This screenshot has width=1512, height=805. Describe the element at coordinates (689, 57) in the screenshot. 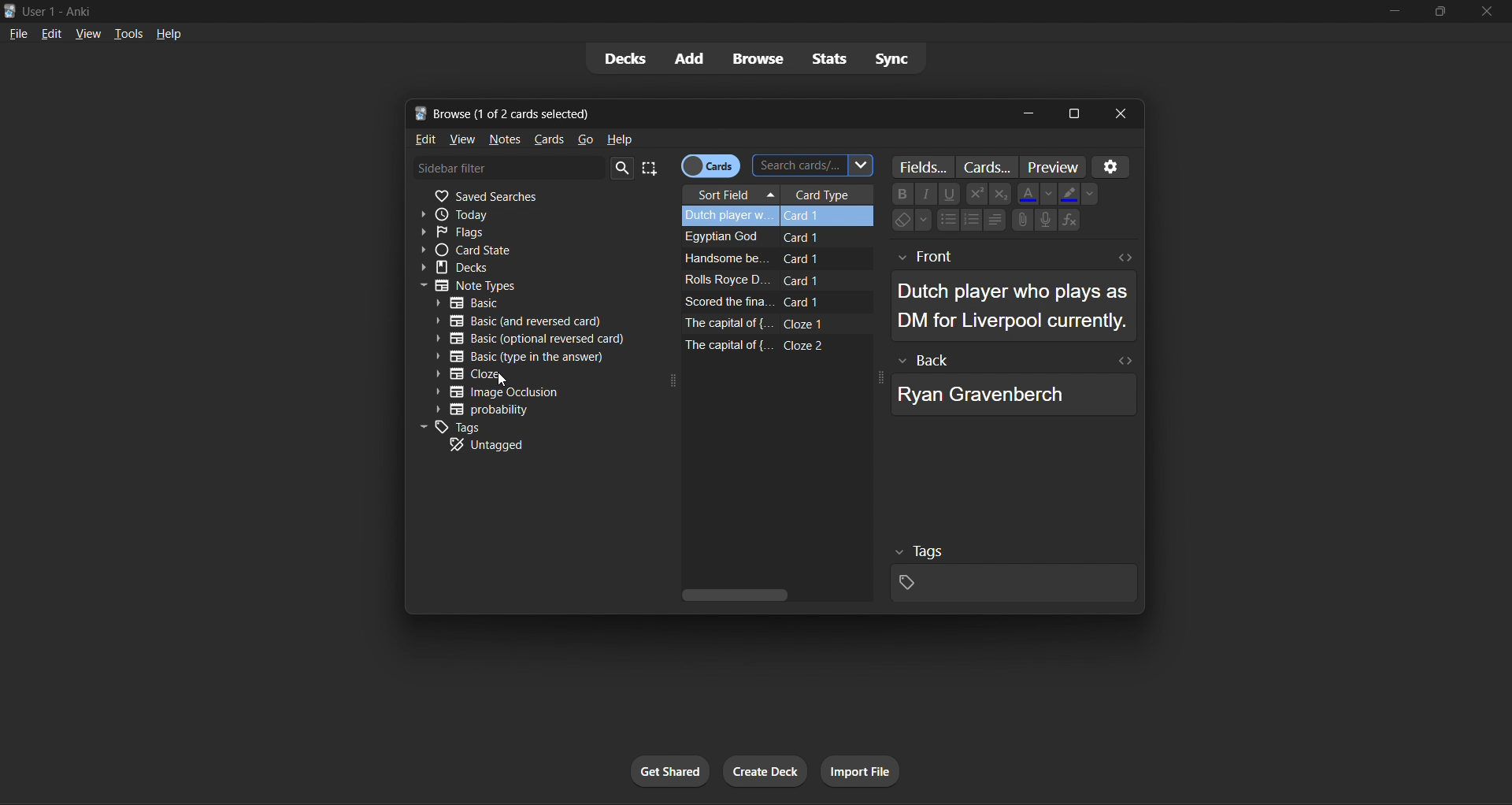

I see `add` at that location.